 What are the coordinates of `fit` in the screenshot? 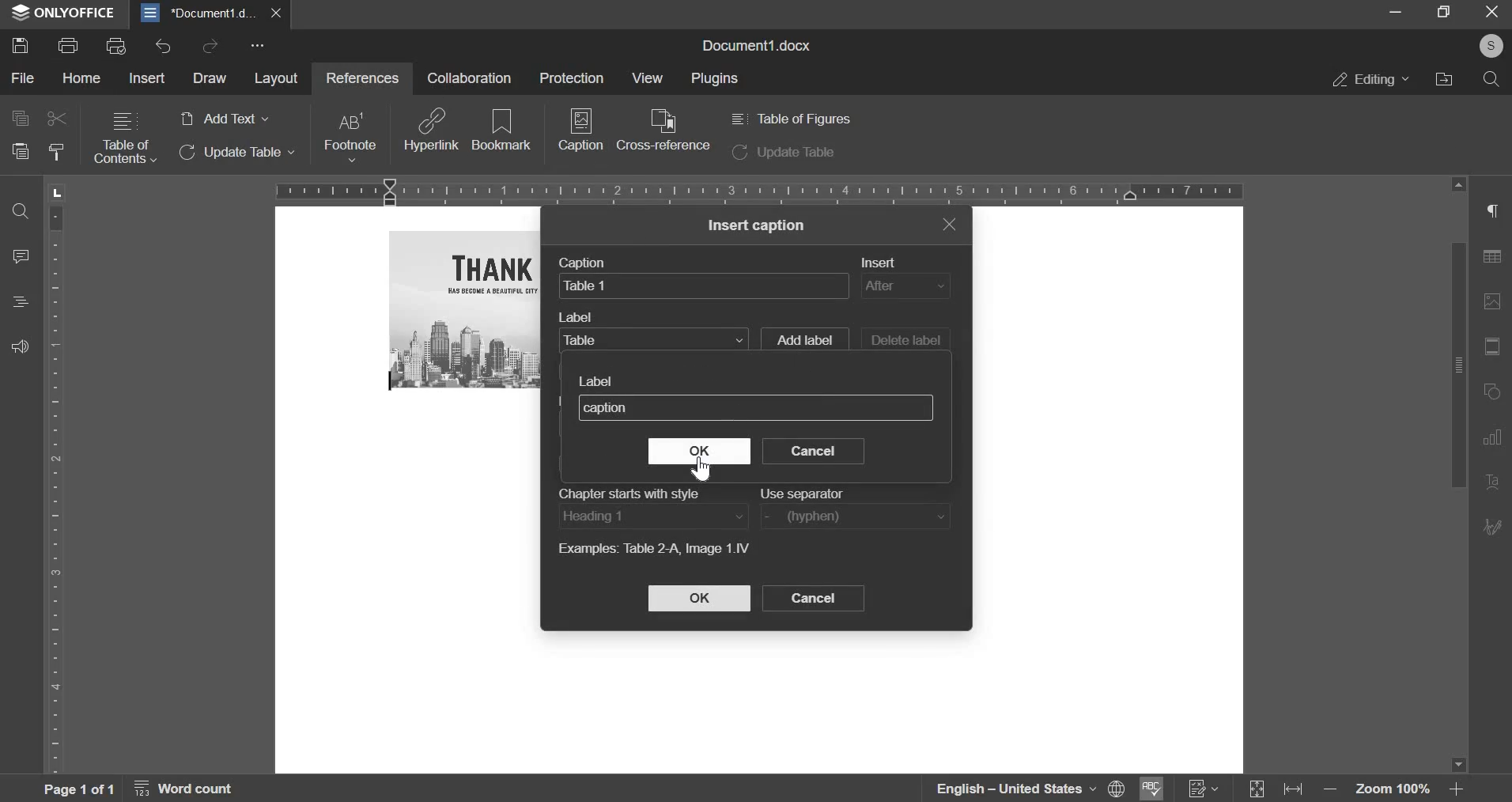 It's located at (1495, 348).